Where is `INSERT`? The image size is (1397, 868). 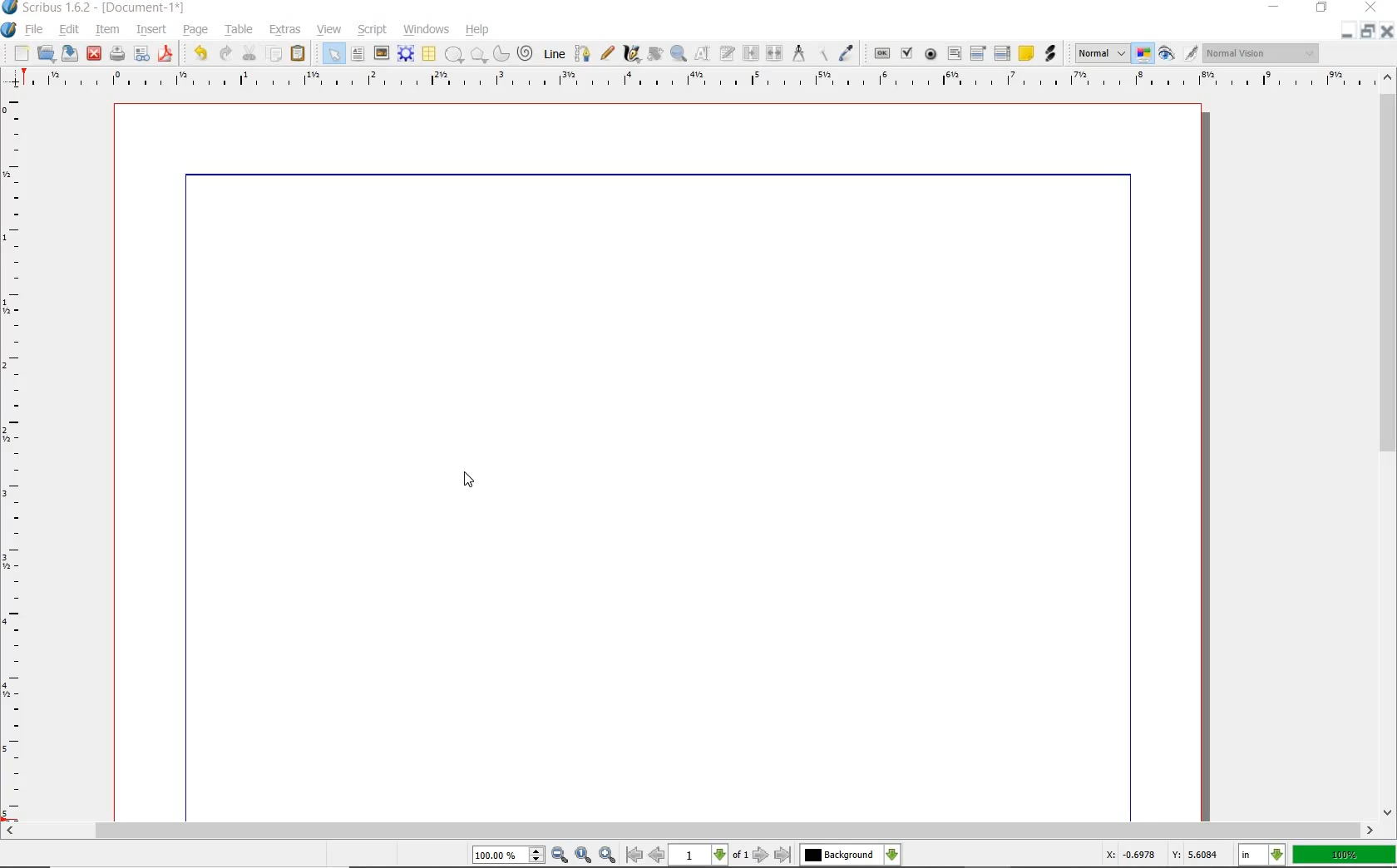 INSERT is located at coordinates (151, 30).